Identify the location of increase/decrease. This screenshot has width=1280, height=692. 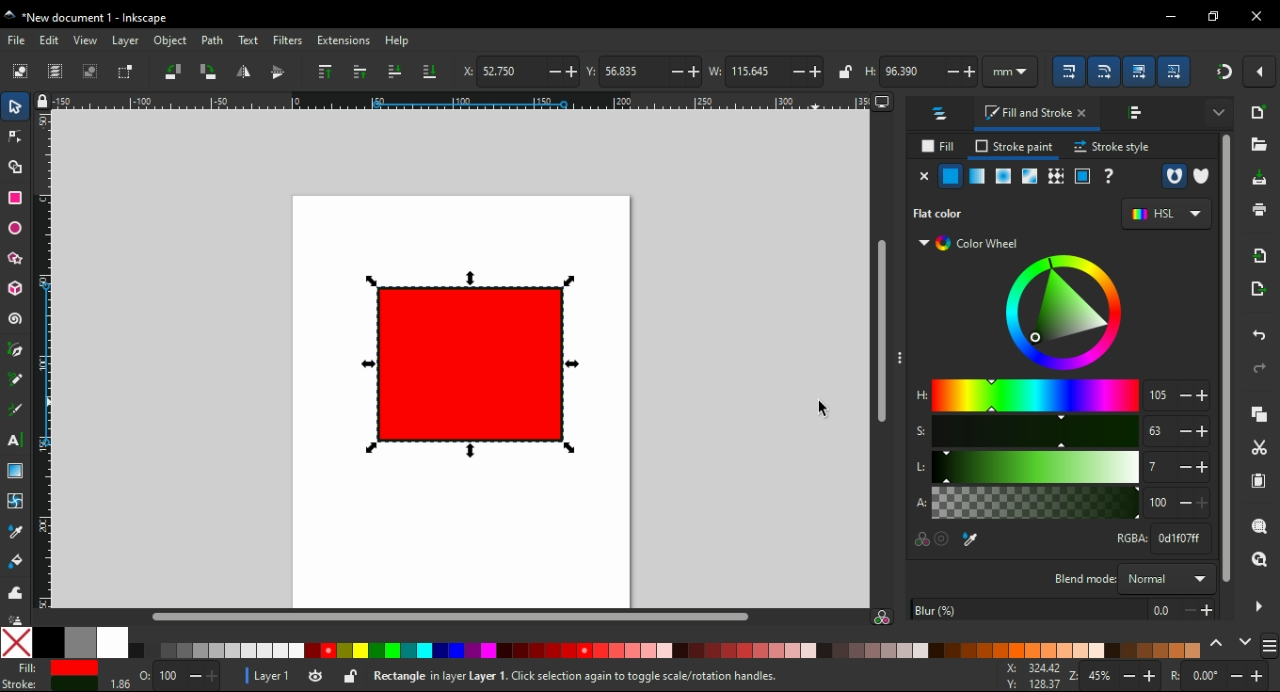
(1194, 396).